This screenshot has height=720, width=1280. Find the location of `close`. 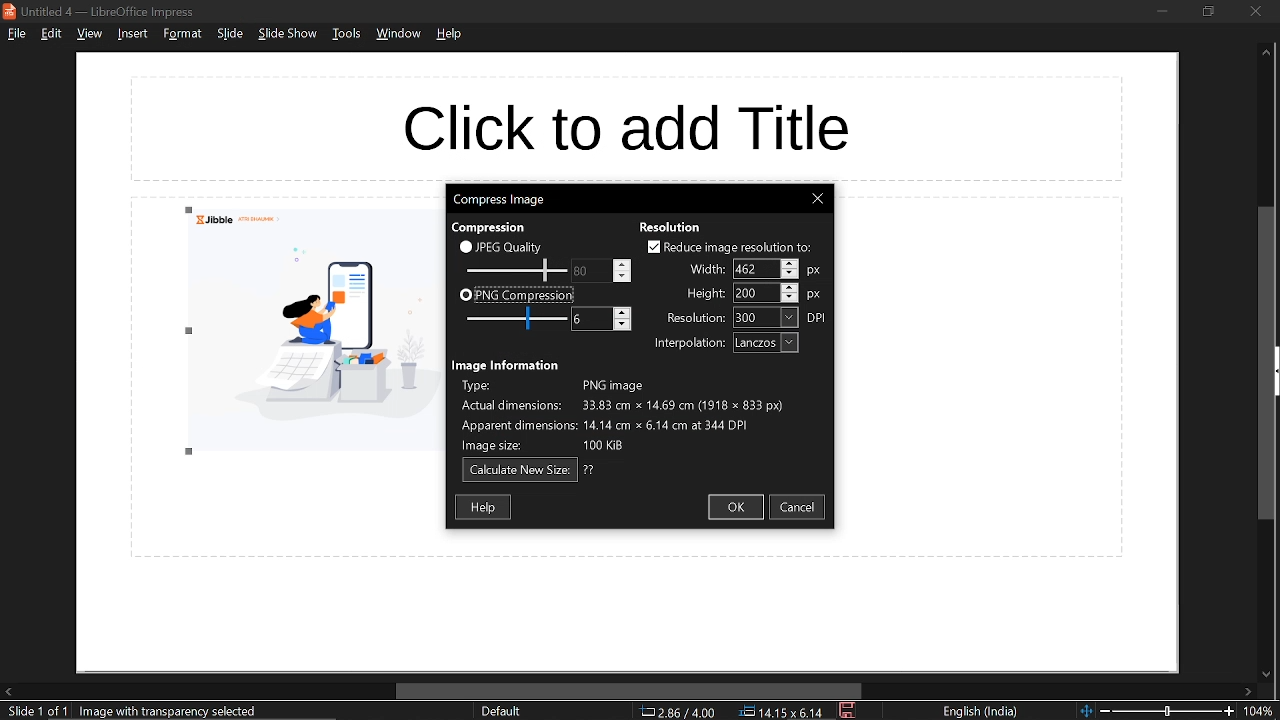

close is located at coordinates (1255, 11).